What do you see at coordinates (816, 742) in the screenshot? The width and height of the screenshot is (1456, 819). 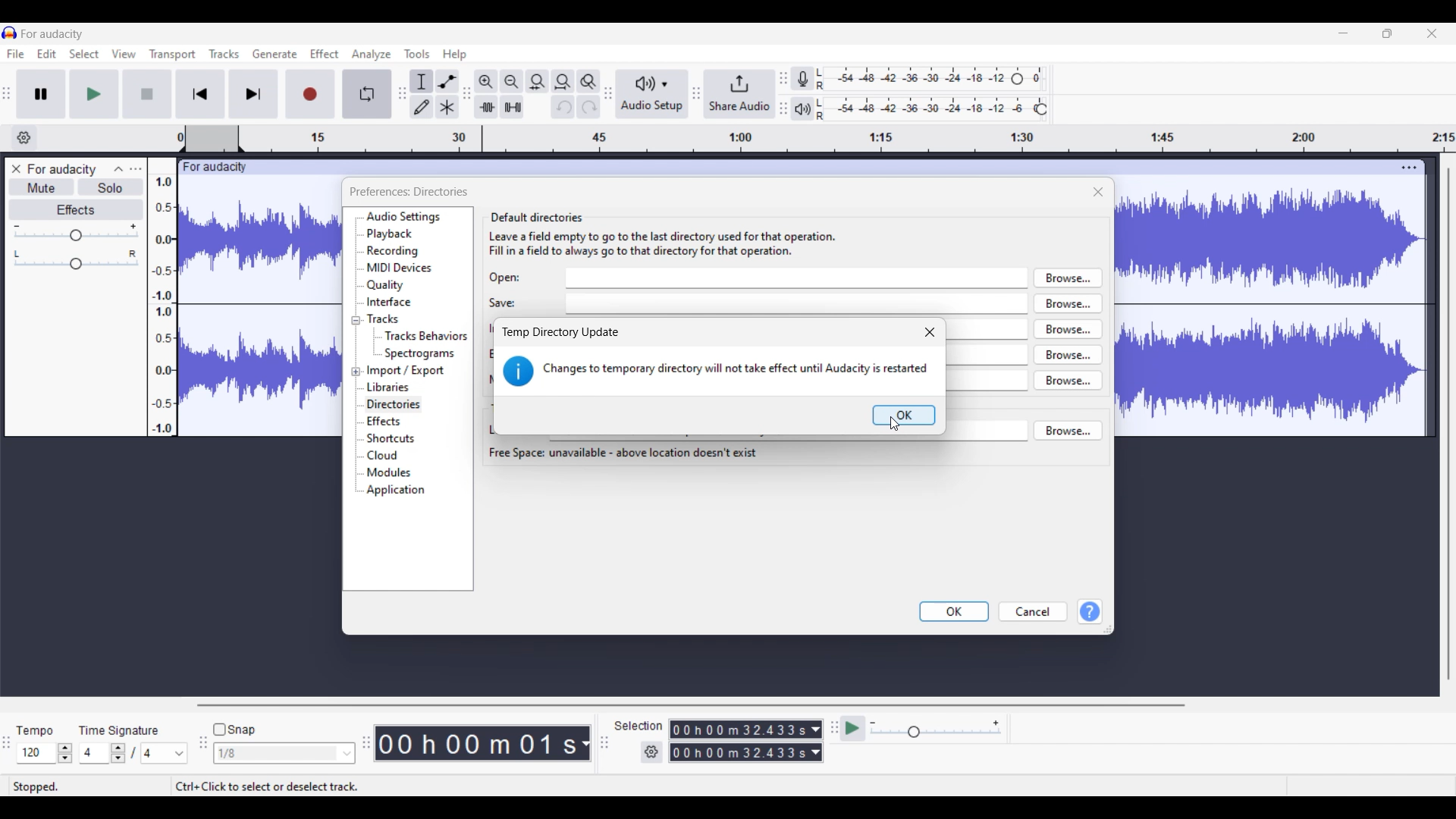 I see `Duration measurement` at bounding box center [816, 742].